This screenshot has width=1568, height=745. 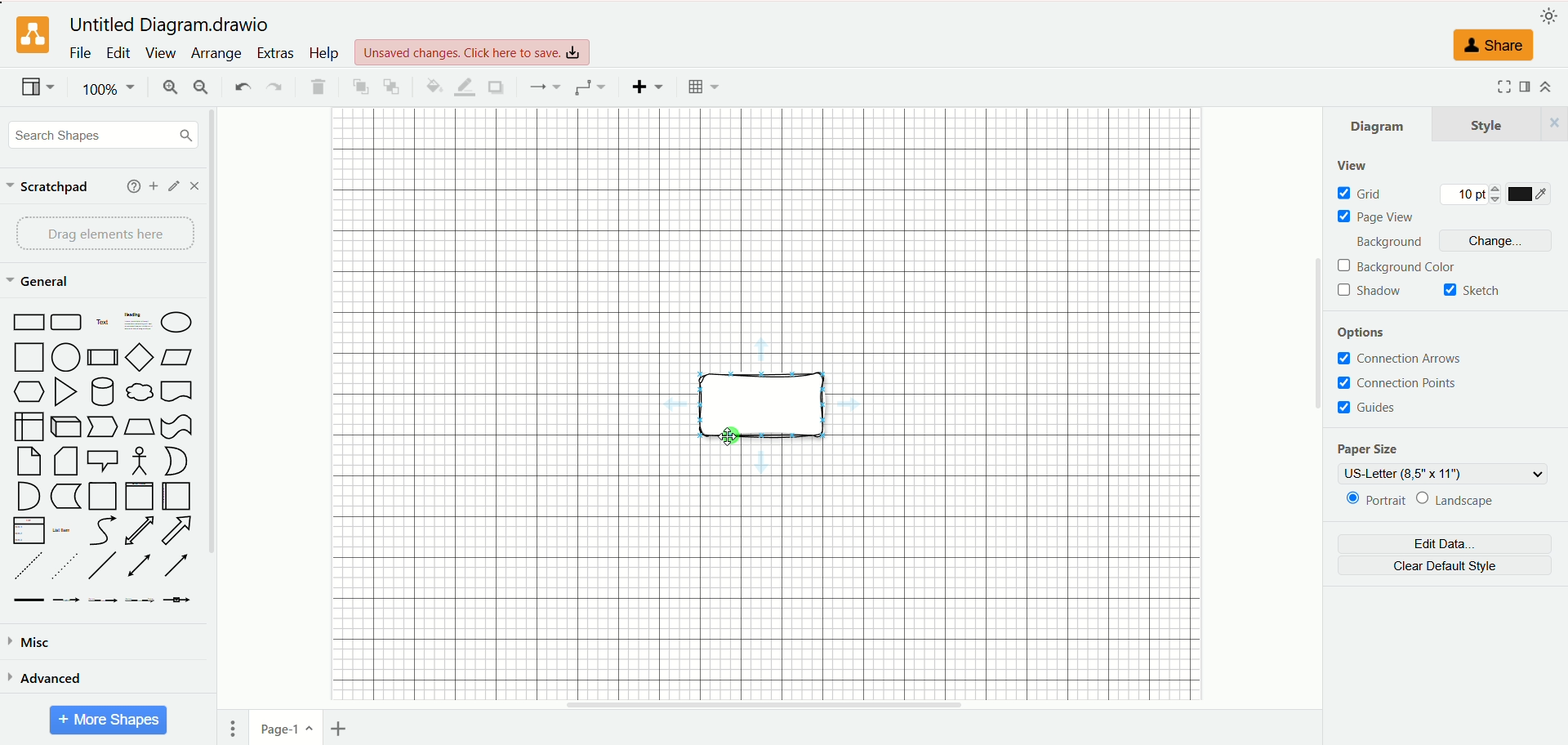 I want to click on 100%, so click(x=110, y=89).